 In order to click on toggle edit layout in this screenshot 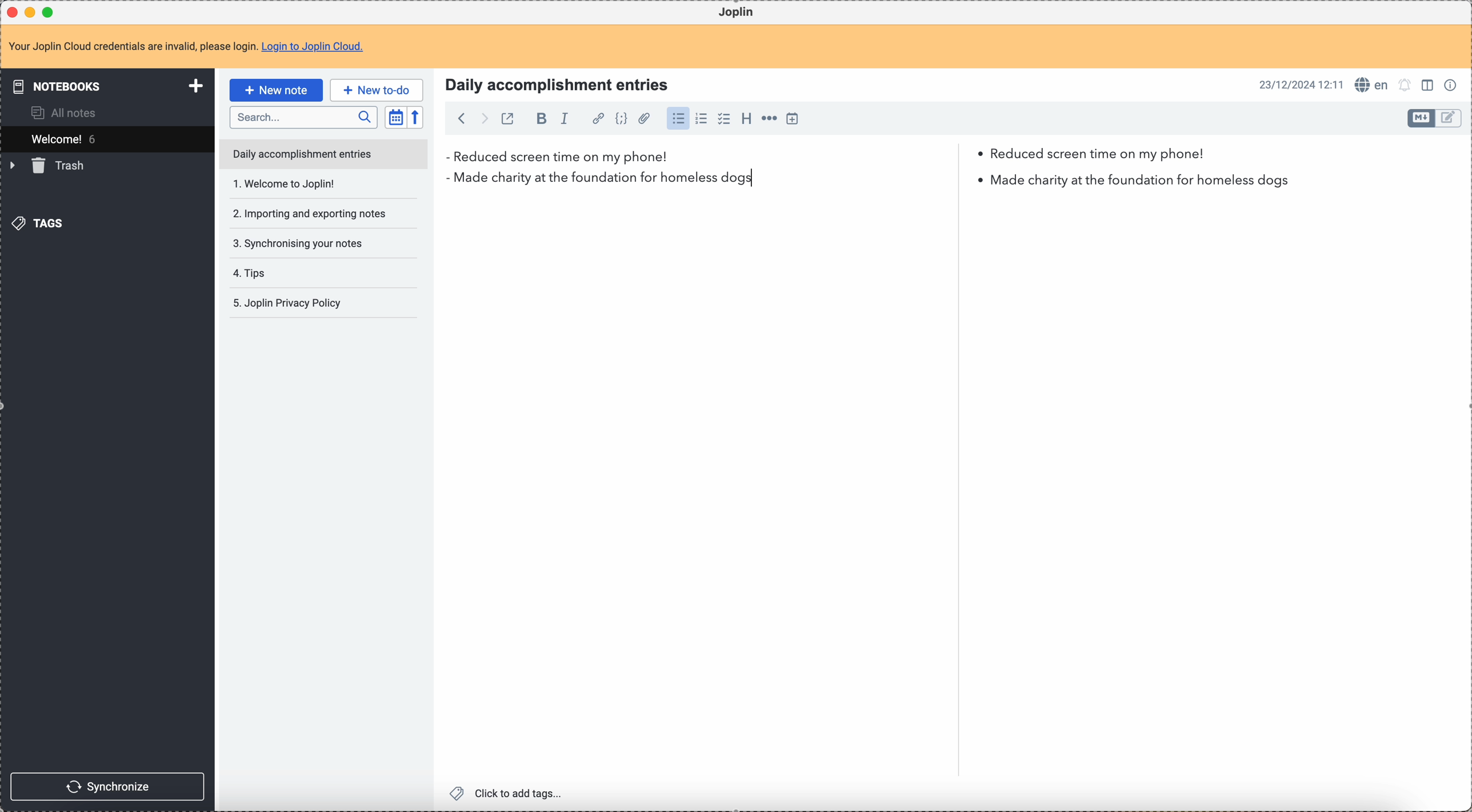, I will do `click(1422, 118)`.